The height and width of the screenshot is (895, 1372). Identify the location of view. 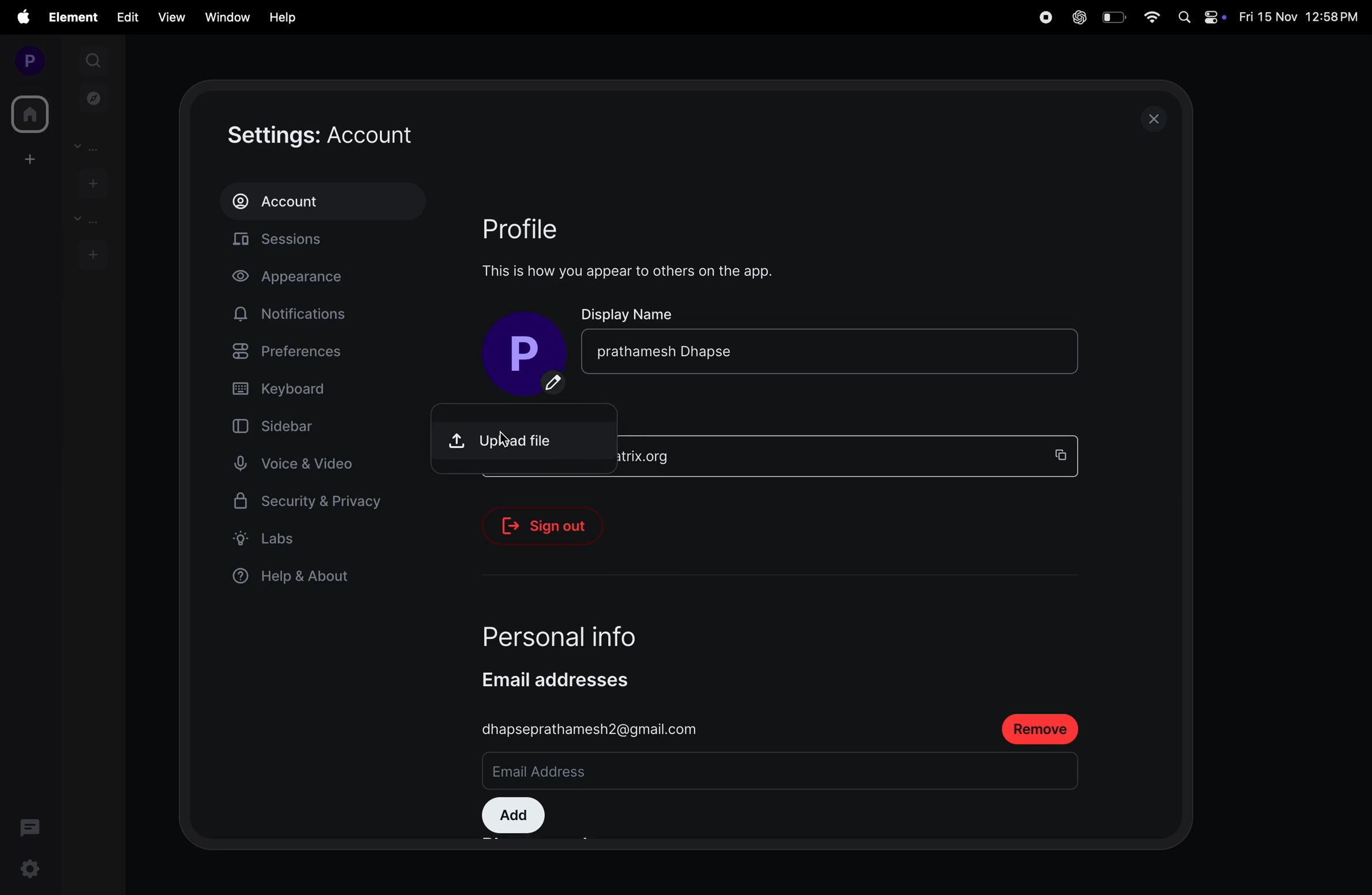
(168, 17).